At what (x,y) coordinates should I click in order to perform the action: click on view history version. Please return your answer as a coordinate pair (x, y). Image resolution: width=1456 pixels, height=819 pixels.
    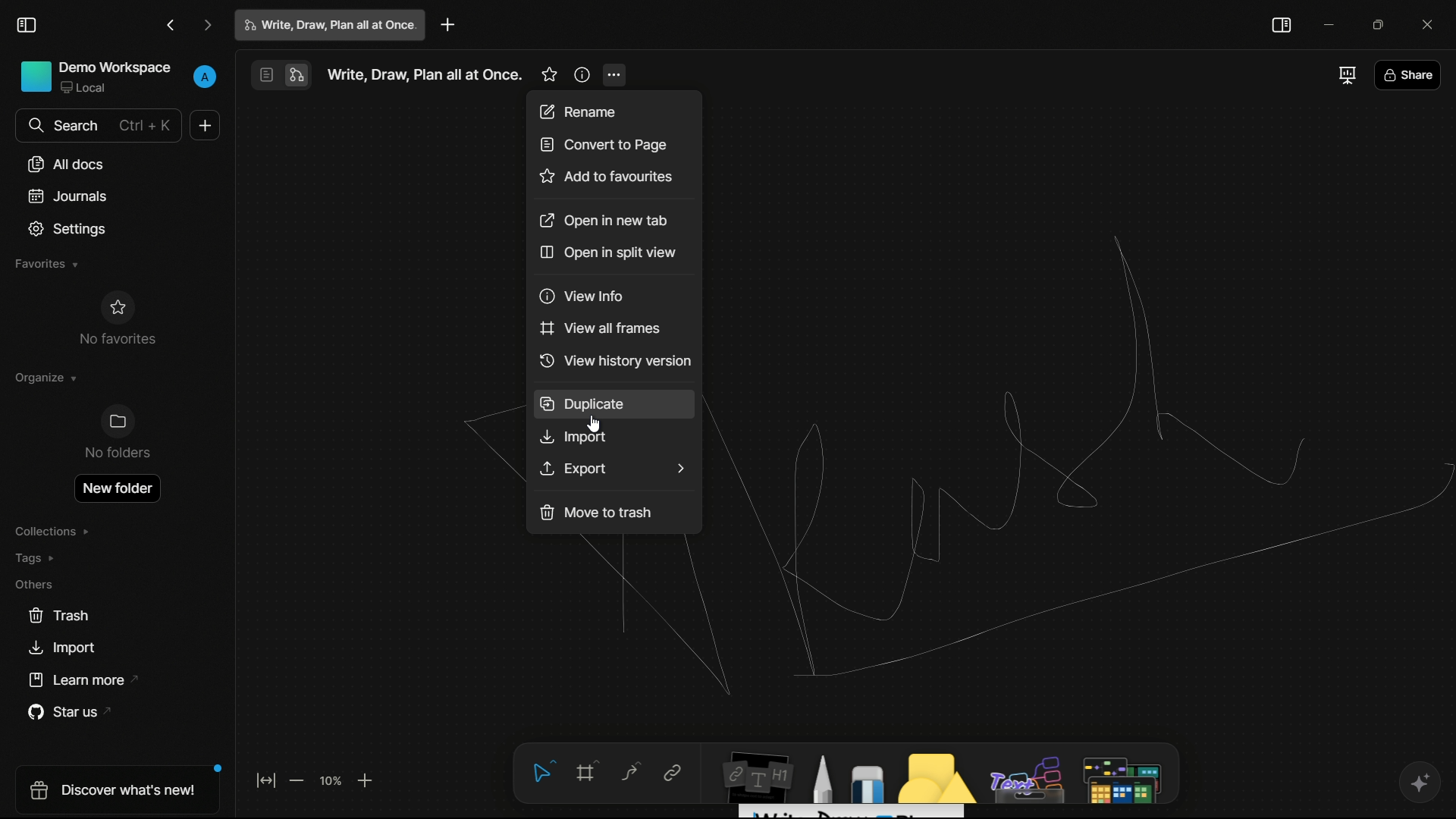
    Looking at the image, I should click on (616, 361).